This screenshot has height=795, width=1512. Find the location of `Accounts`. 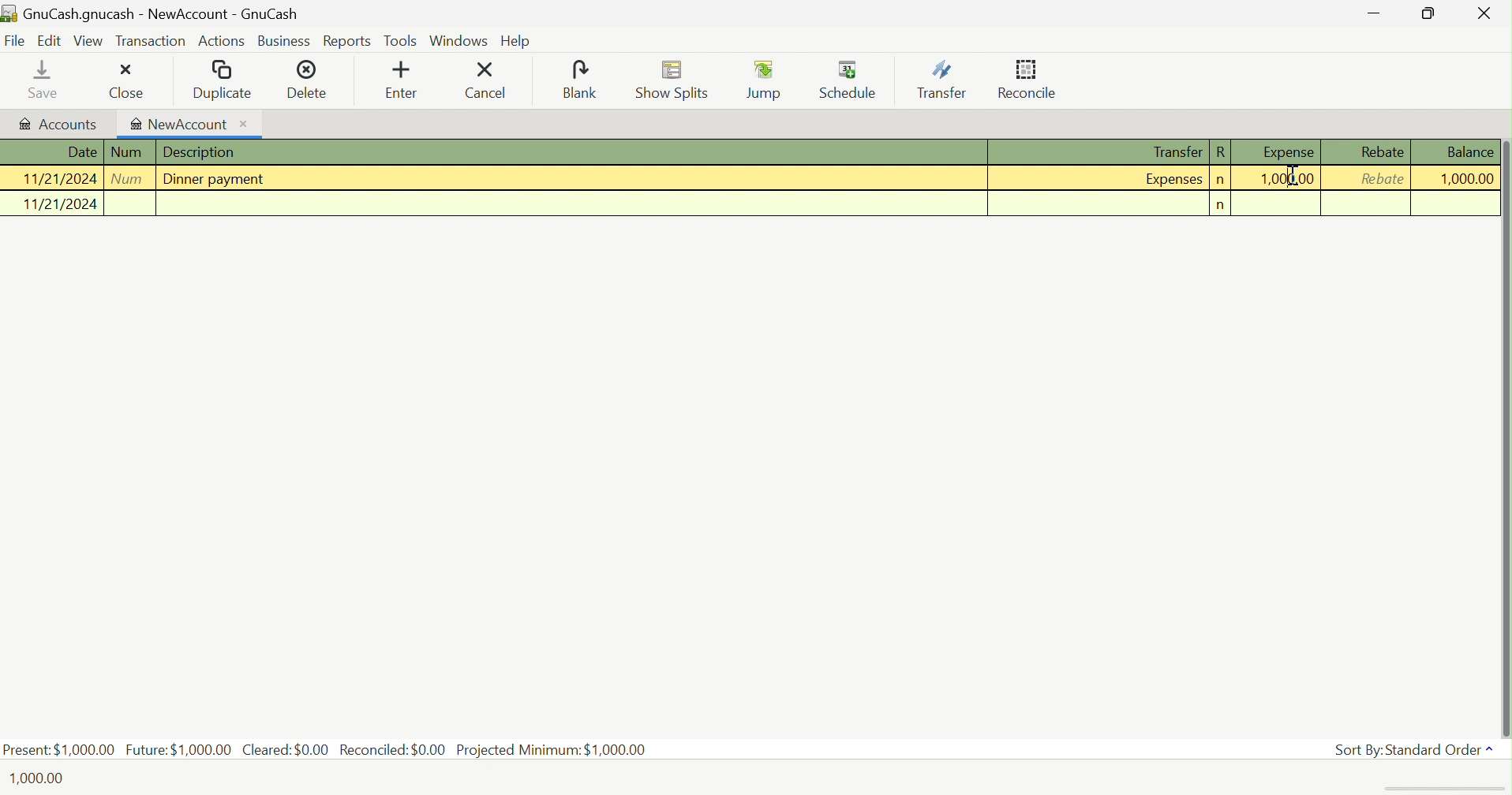

Accounts is located at coordinates (58, 122).